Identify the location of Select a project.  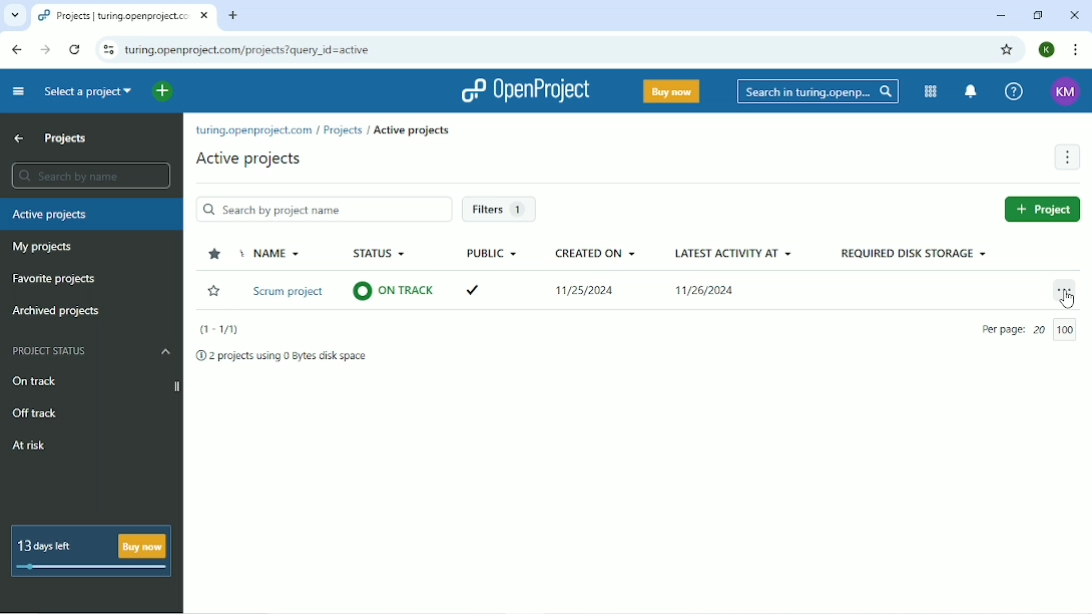
(87, 93).